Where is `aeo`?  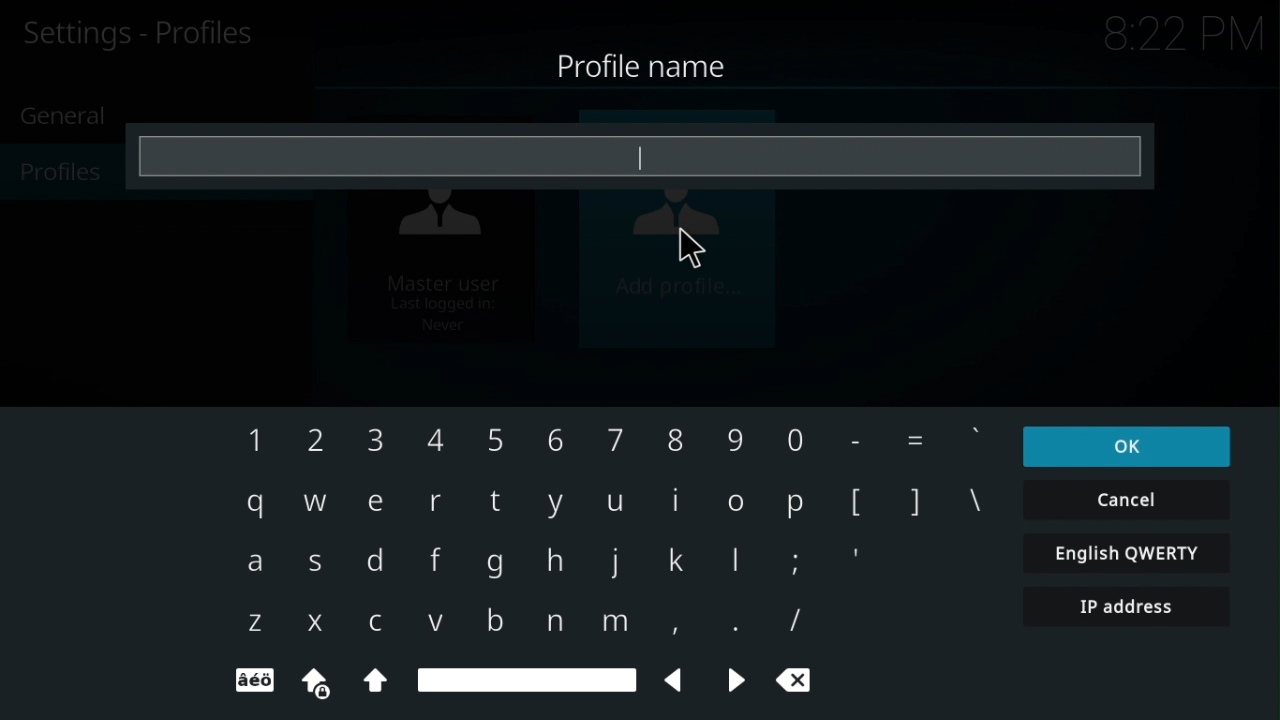
aeo is located at coordinates (251, 682).